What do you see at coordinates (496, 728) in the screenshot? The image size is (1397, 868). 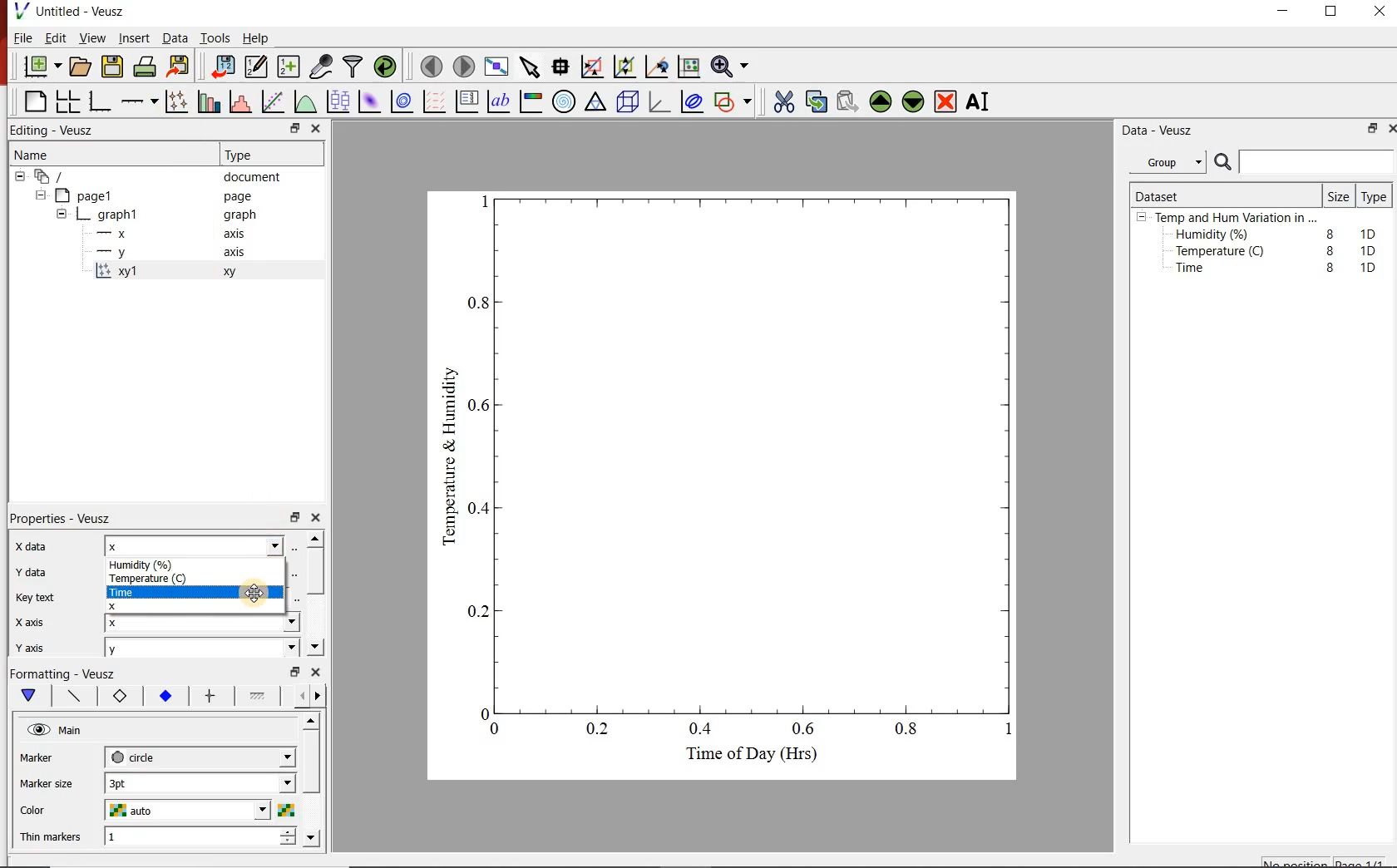 I see `0` at bounding box center [496, 728].